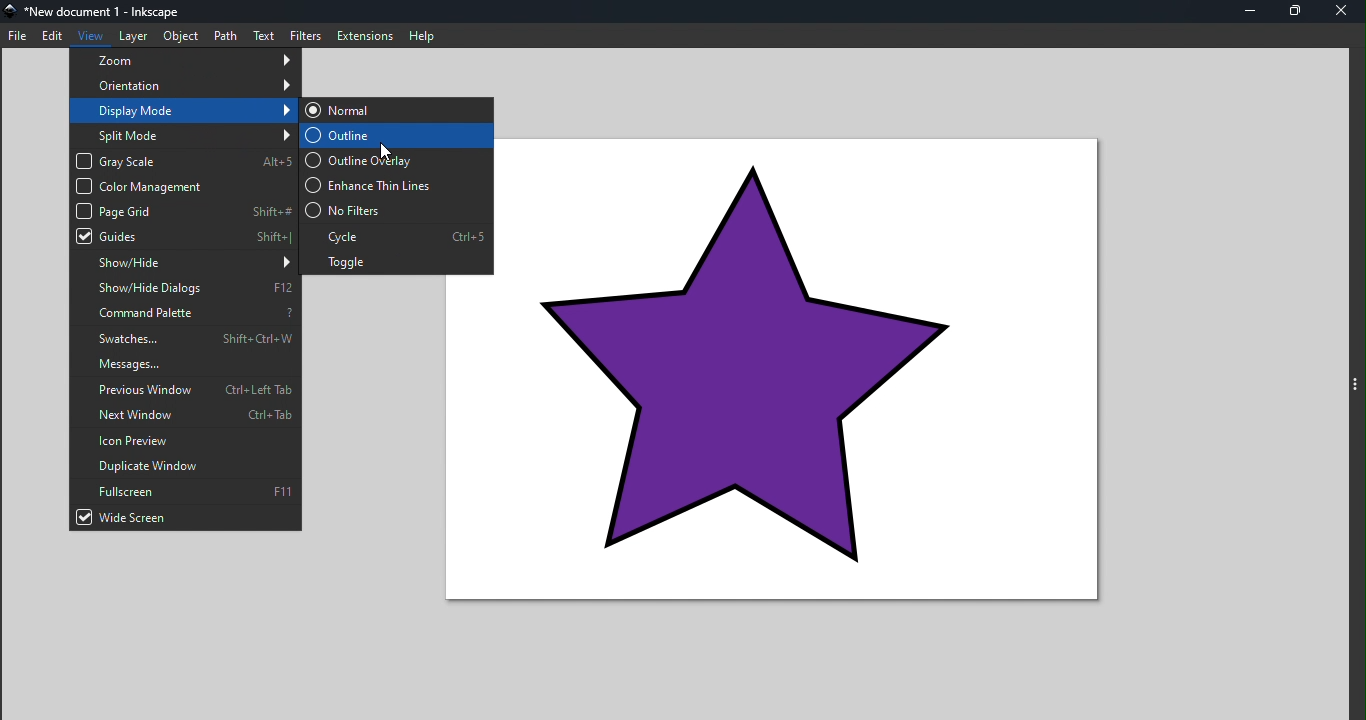 The image size is (1366, 720). I want to click on View, so click(90, 36).